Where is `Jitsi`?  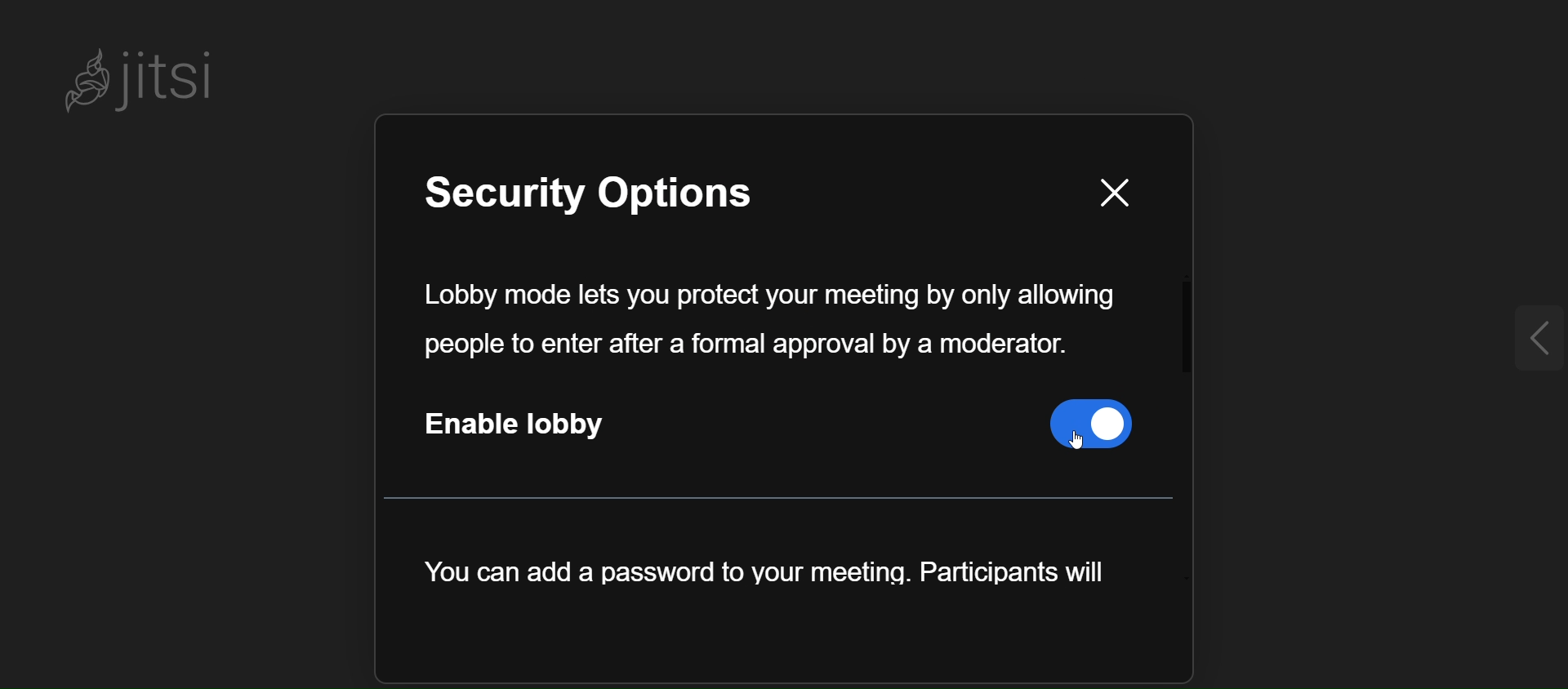
Jitsi is located at coordinates (142, 78).